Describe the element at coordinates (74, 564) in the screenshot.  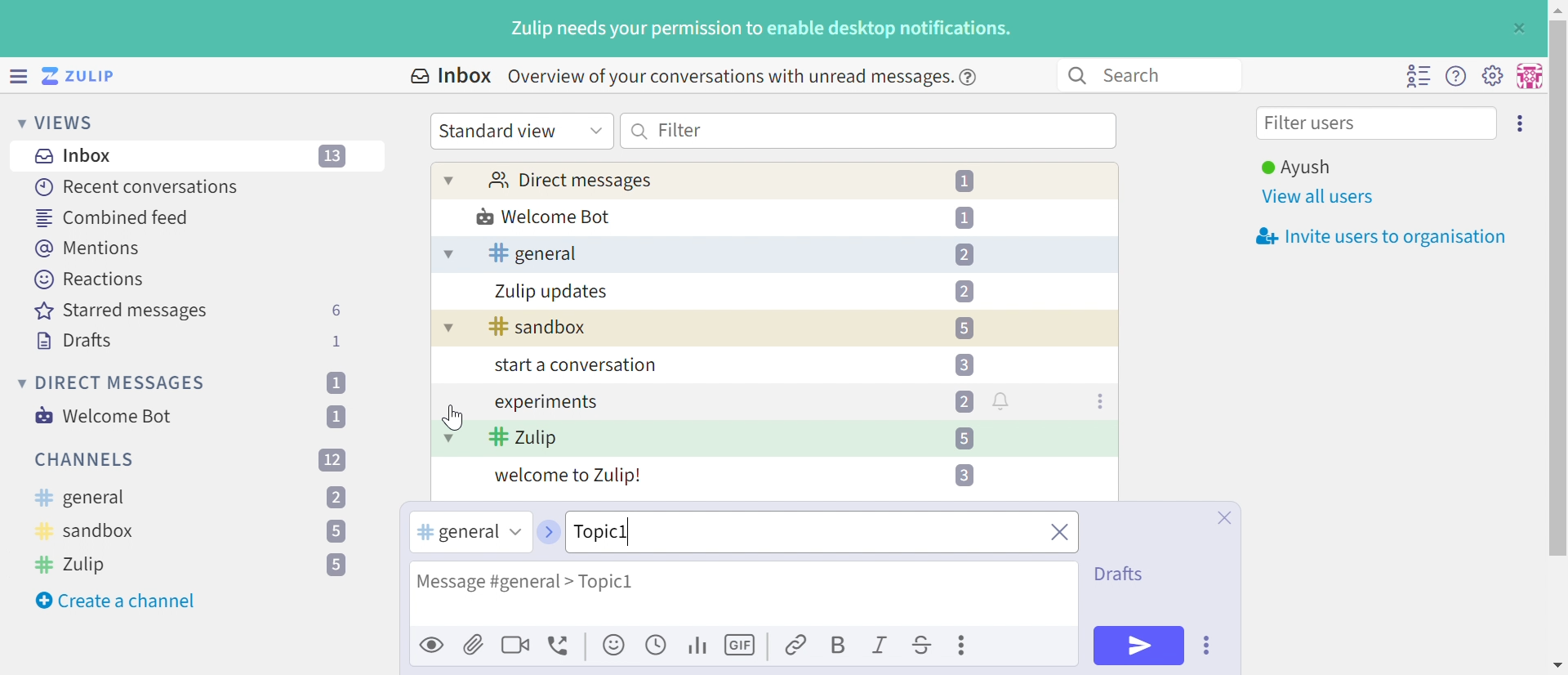
I see `Zulip` at that location.